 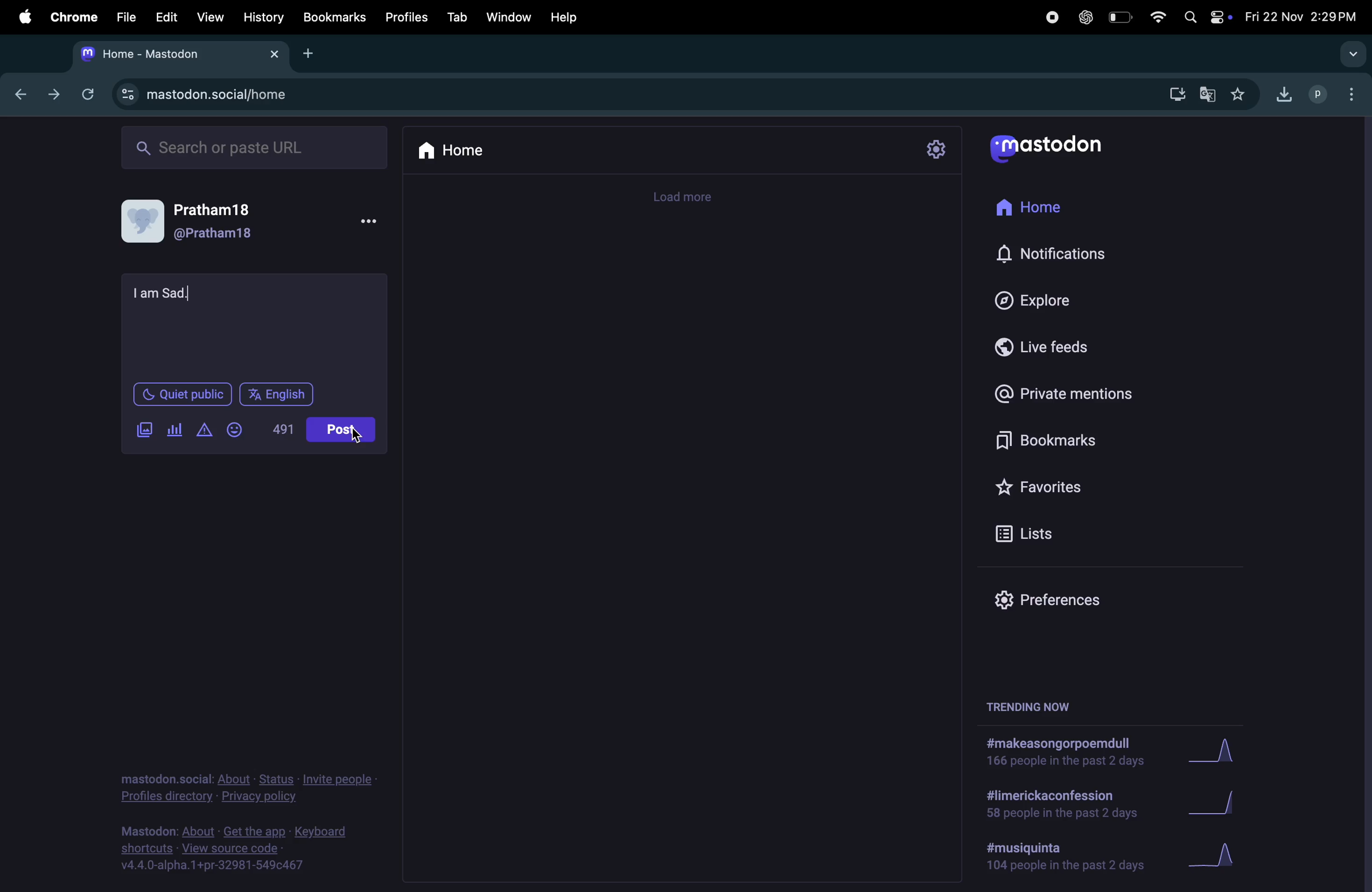 I want to click on bookmarks, so click(x=335, y=17).